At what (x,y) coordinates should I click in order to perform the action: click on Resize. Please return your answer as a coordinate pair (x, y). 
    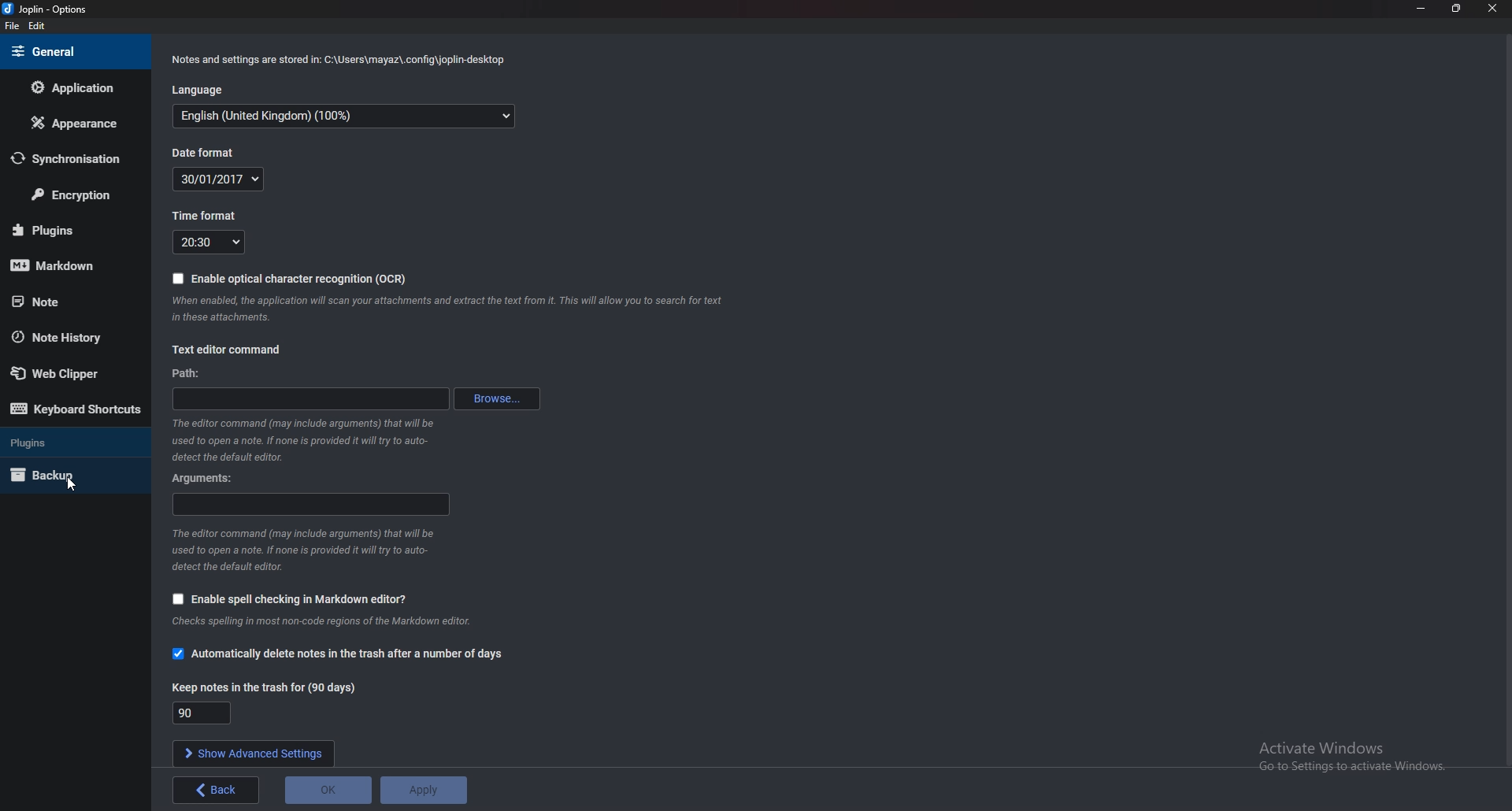
    Looking at the image, I should click on (1457, 9).